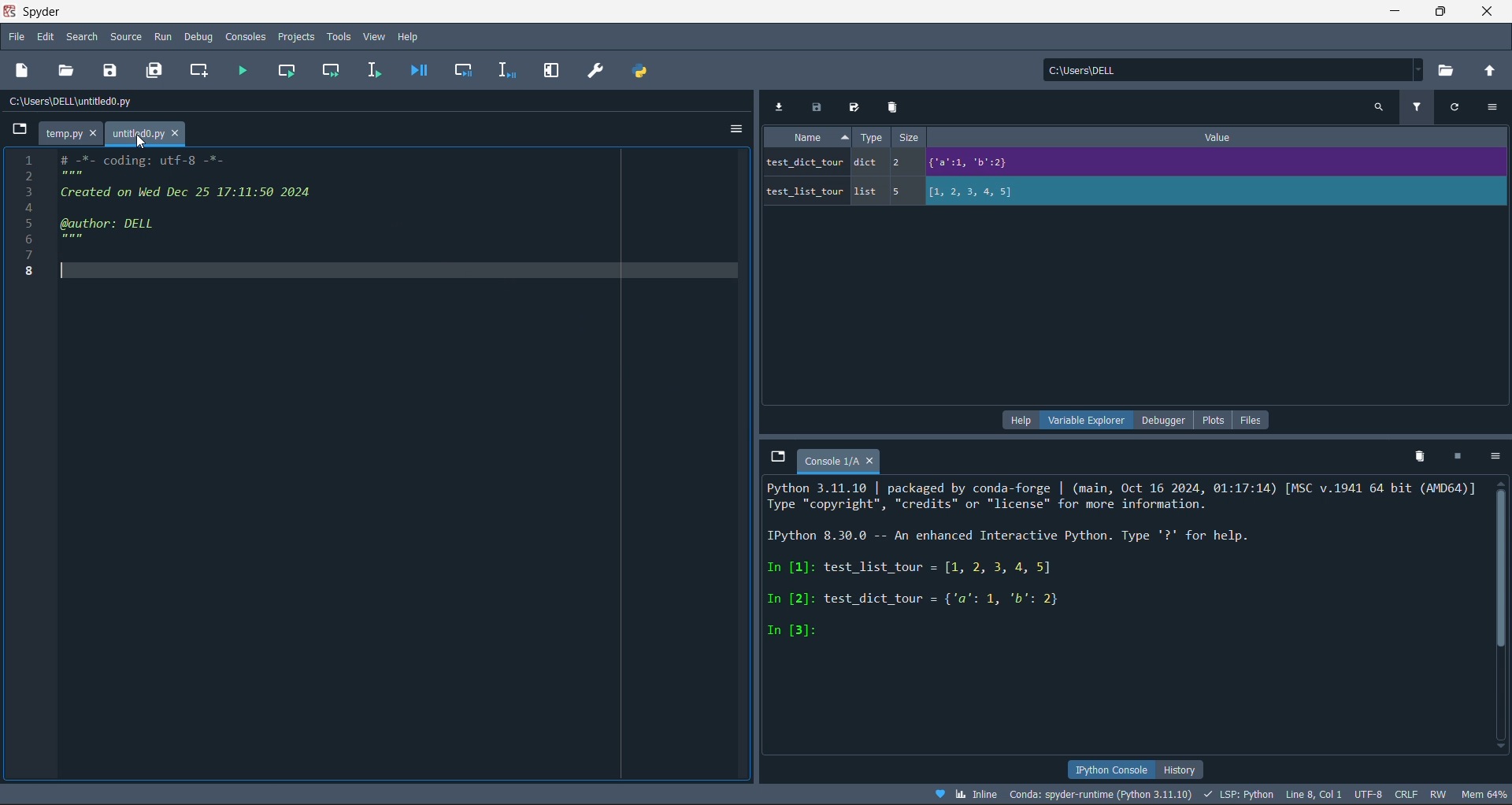 The image size is (1512, 805). Describe the element at coordinates (1438, 12) in the screenshot. I see `maximize/restore` at that location.